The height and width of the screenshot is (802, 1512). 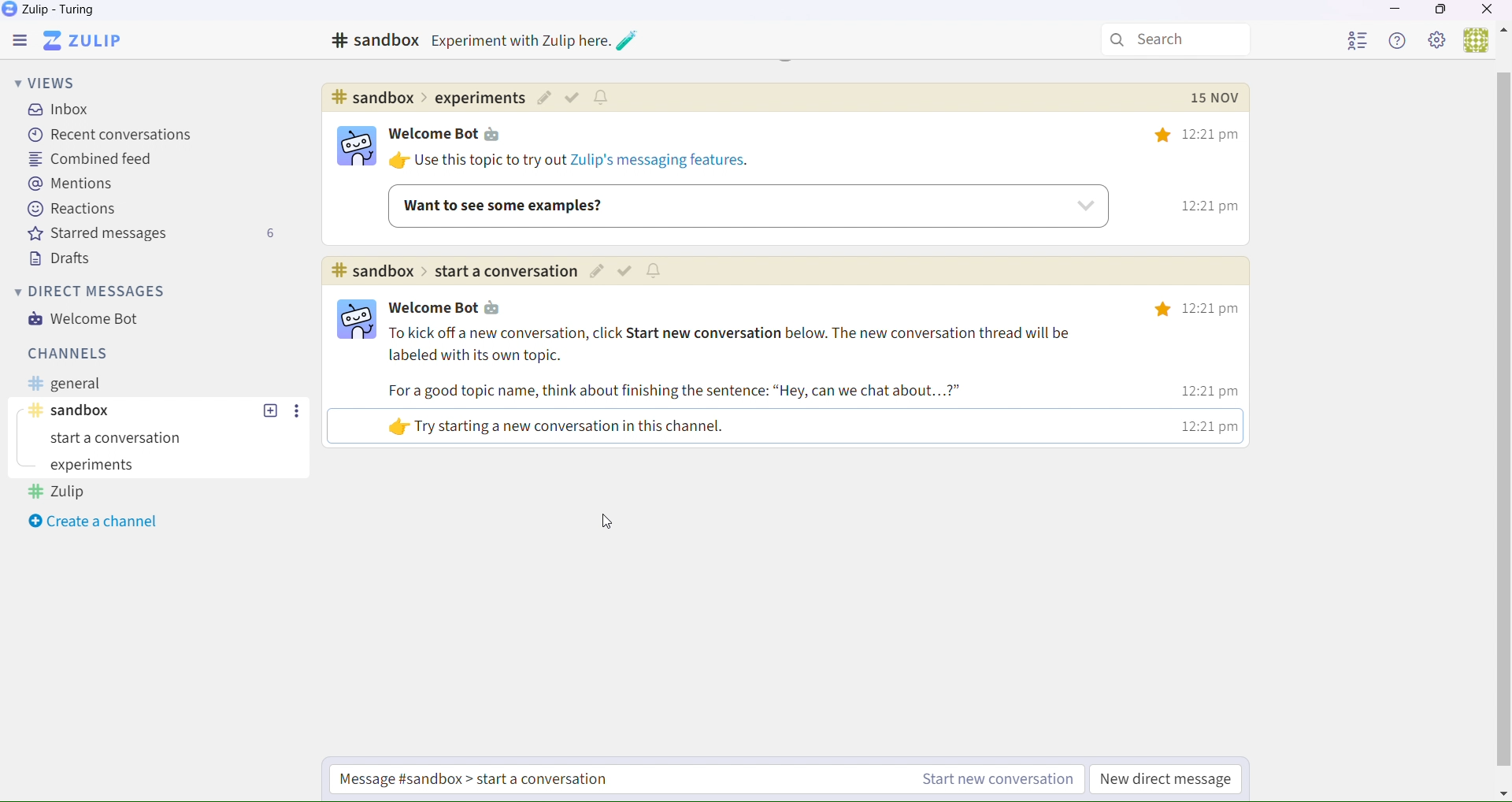 What do you see at coordinates (1476, 41) in the screenshot?
I see `Users` at bounding box center [1476, 41].